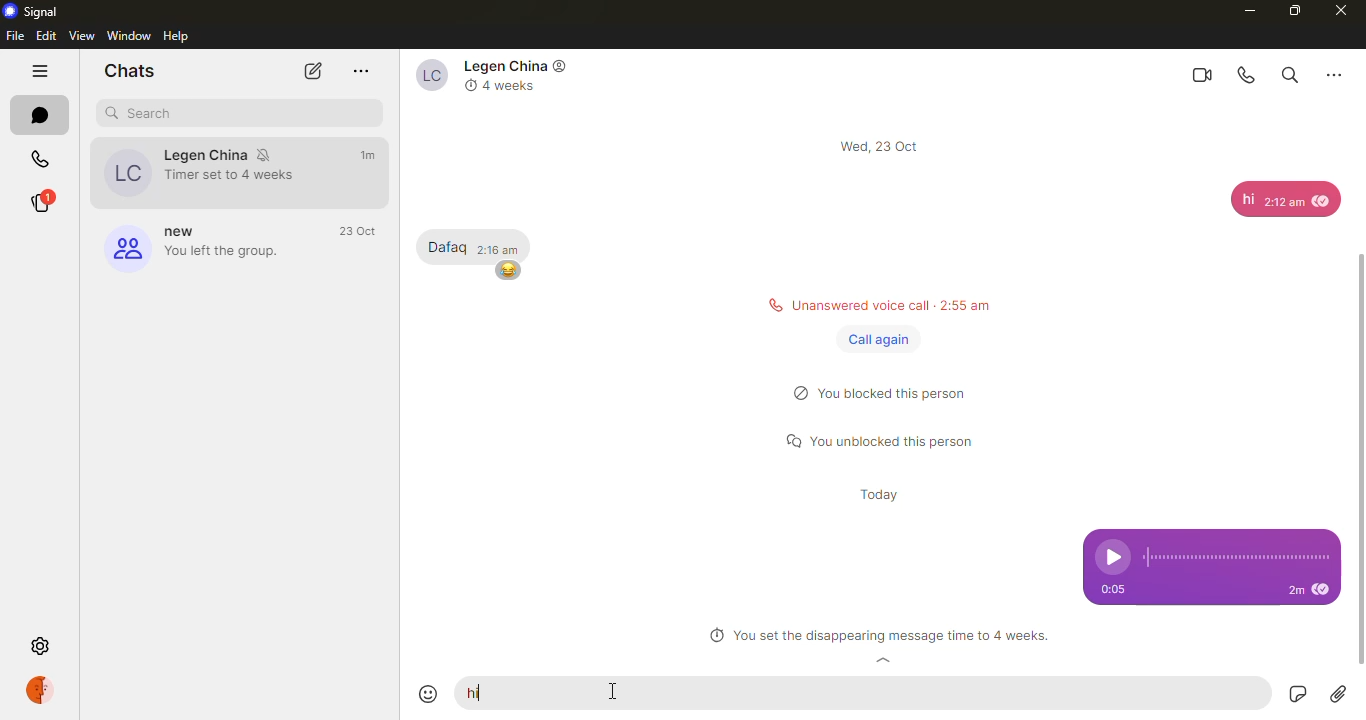  What do you see at coordinates (190, 246) in the screenshot?
I see `new You left the group.` at bounding box center [190, 246].